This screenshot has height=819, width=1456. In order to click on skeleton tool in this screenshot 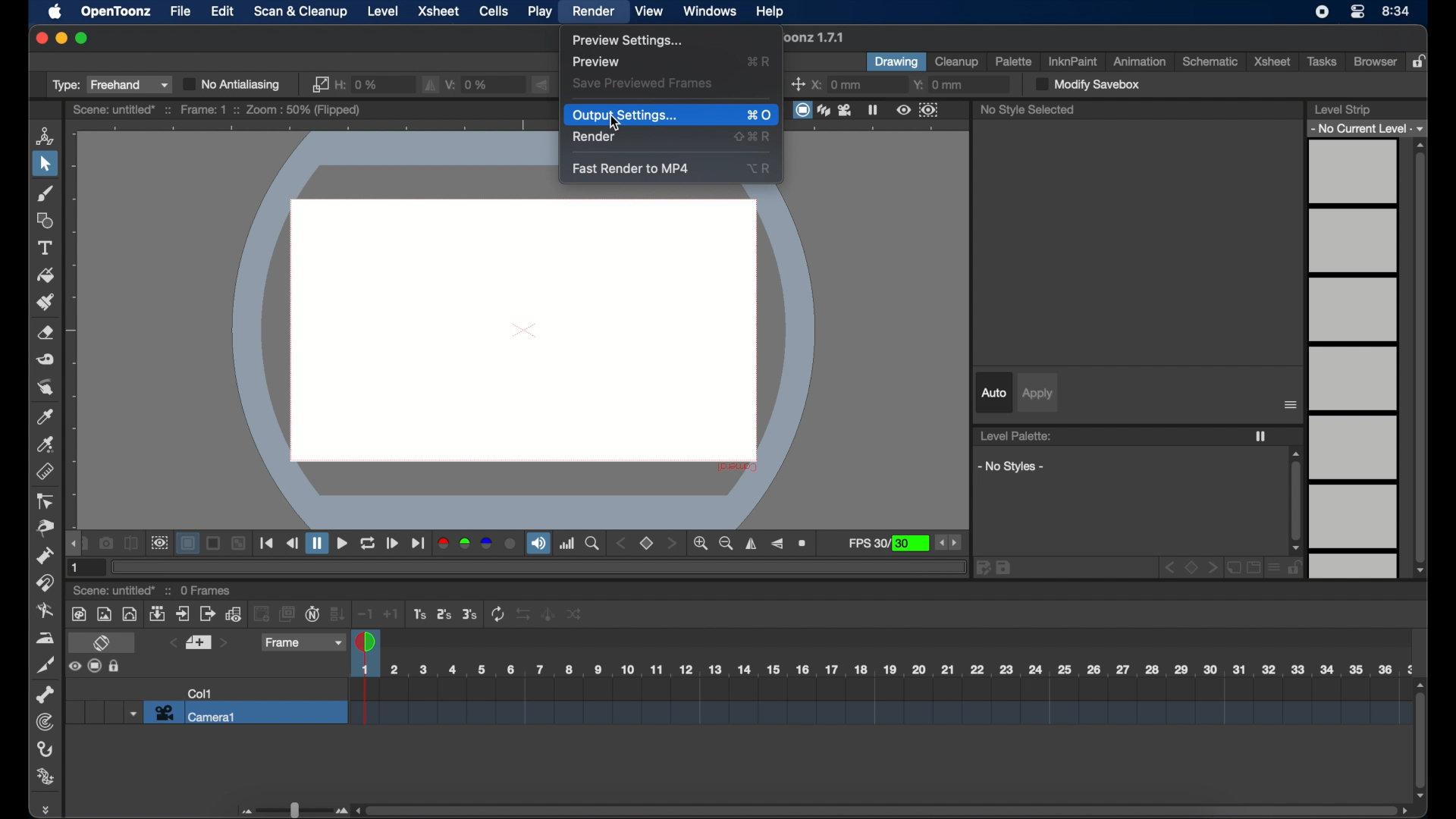, I will do `click(45, 695)`.